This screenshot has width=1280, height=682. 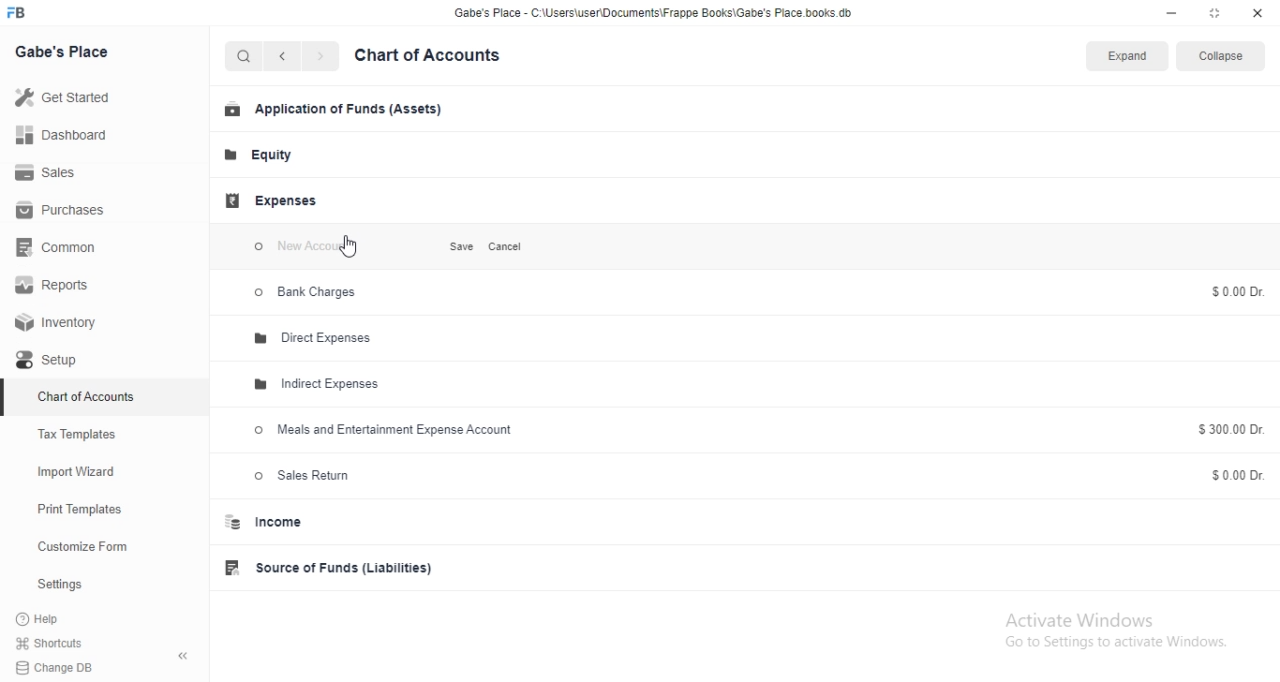 I want to click on Inventory, so click(x=64, y=323).